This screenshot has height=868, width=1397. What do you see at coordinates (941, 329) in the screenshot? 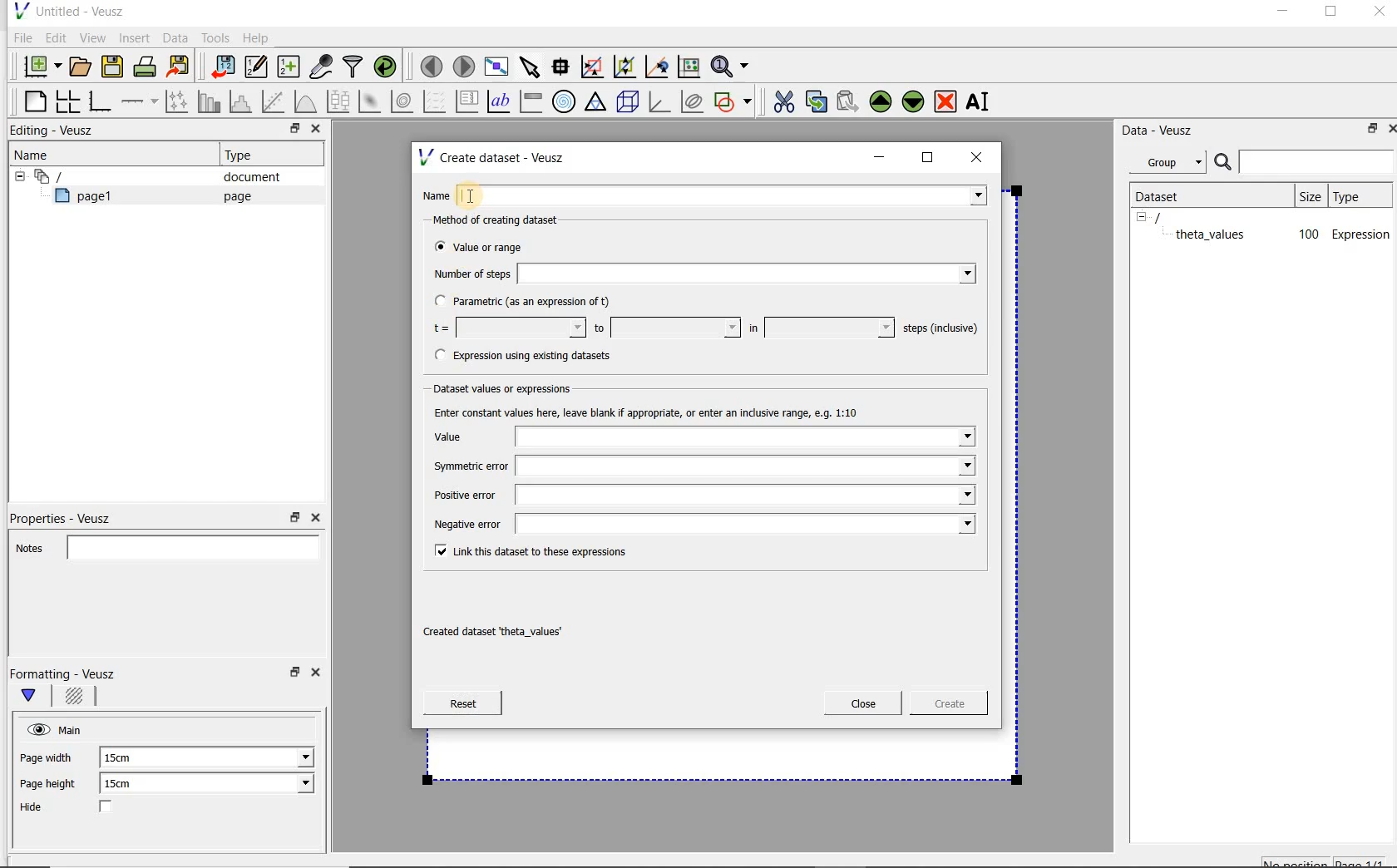
I see `steps (inclusive)` at bounding box center [941, 329].